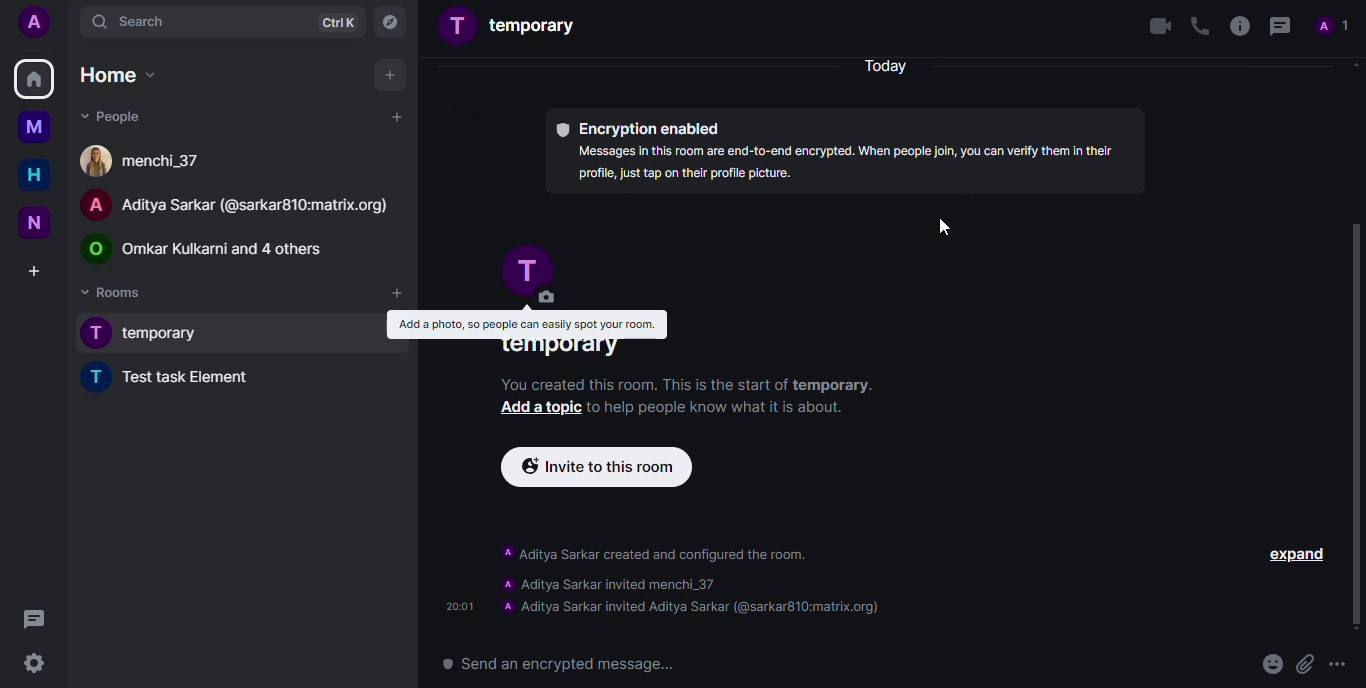  Describe the element at coordinates (827, 150) in the screenshot. I see `® Encryption enabled Messages in this room are end-to-end encrypted. When people Joi, you can verify them n their profile, just tap on their profile picture.` at that location.